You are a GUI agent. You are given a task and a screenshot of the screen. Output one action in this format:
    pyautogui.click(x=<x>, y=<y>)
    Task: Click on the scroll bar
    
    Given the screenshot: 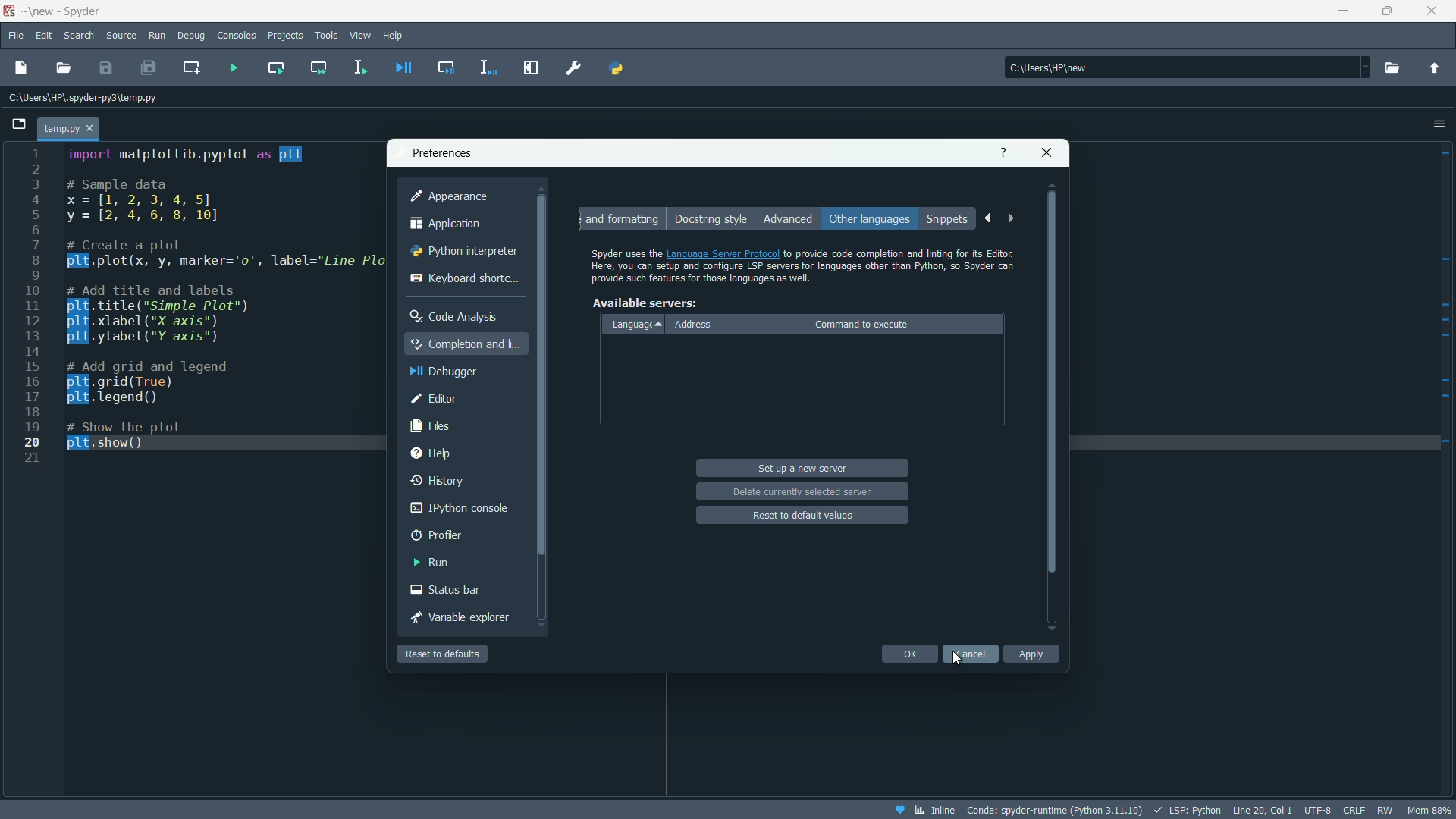 What is the action you would take?
    pyautogui.click(x=541, y=418)
    